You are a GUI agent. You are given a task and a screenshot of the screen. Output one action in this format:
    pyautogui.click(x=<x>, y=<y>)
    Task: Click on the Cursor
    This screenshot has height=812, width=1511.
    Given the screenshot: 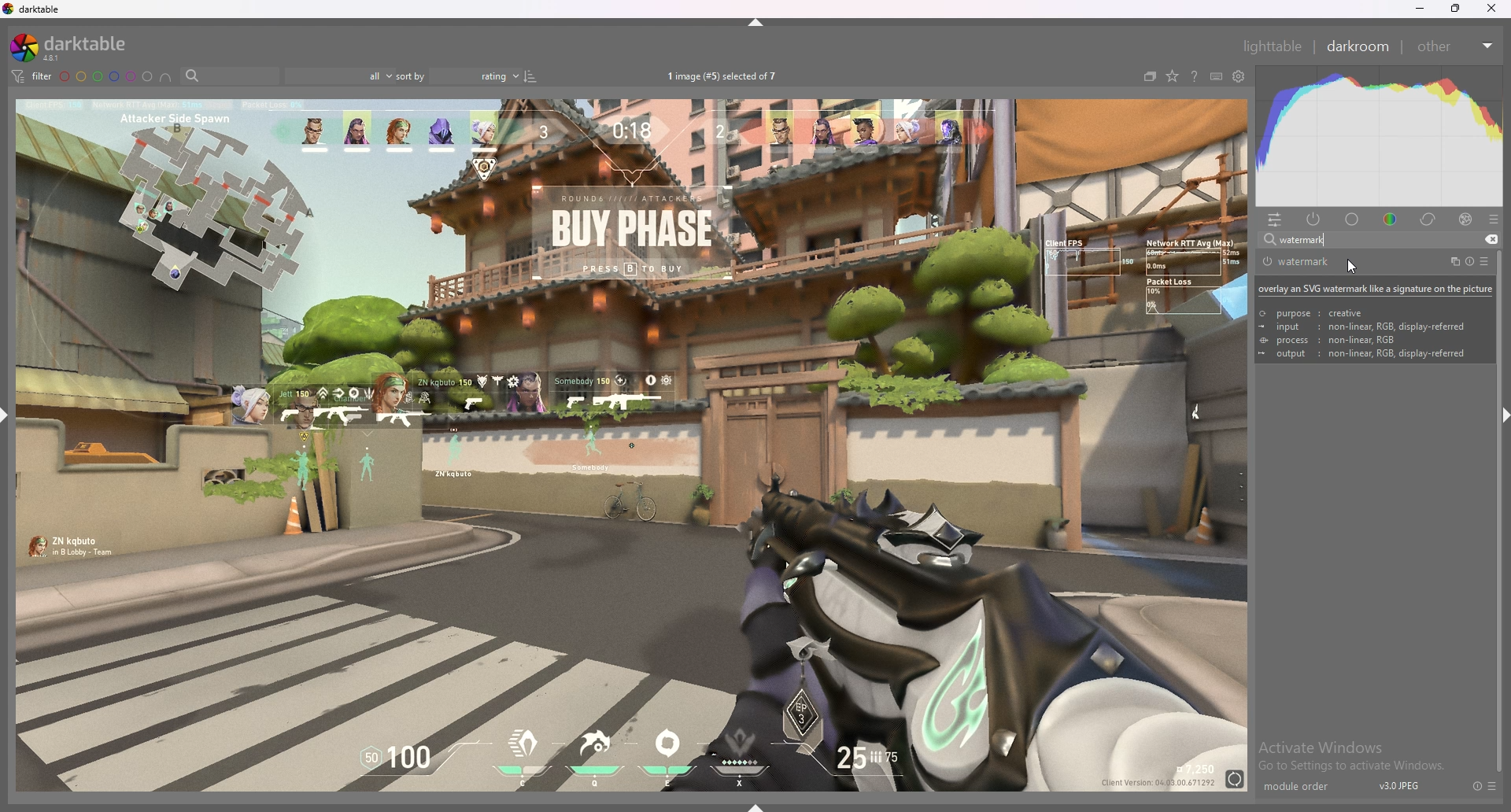 What is the action you would take?
    pyautogui.click(x=1358, y=268)
    